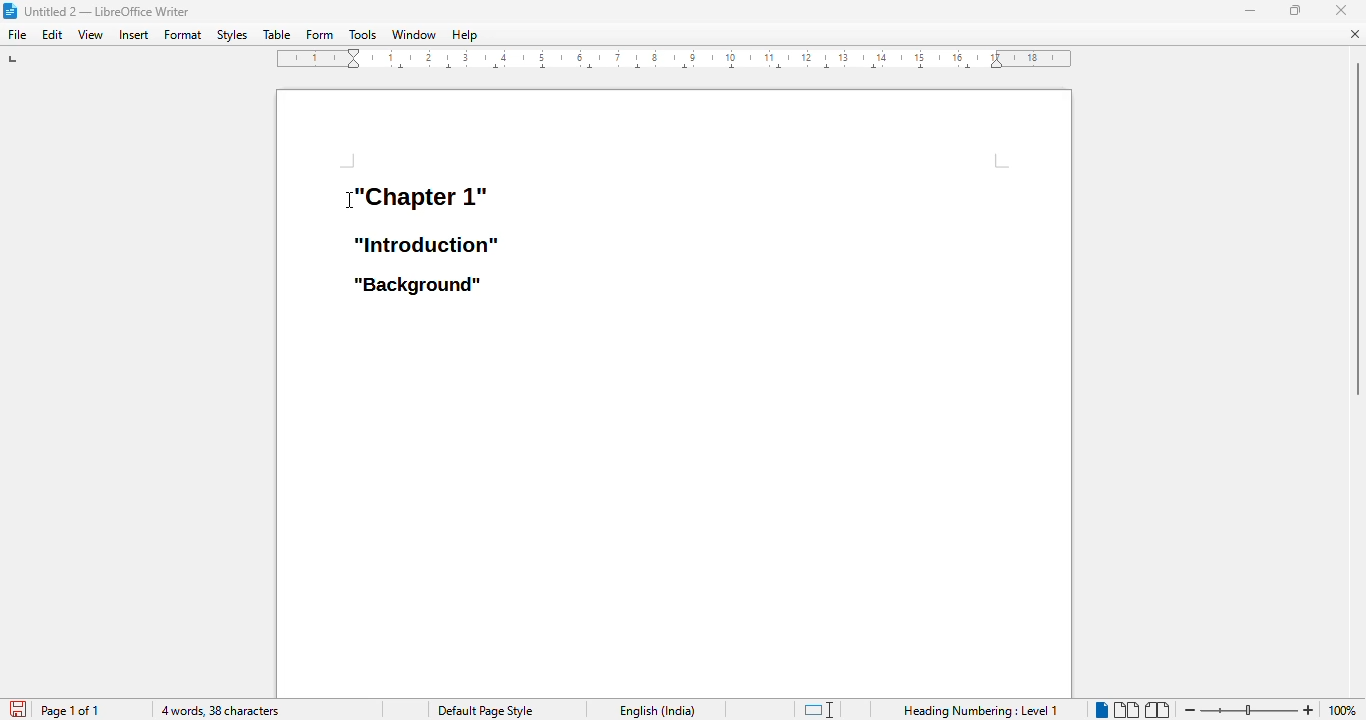 The width and height of the screenshot is (1366, 720). Describe the element at coordinates (10, 11) in the screenshot. I see `logo` at that location.